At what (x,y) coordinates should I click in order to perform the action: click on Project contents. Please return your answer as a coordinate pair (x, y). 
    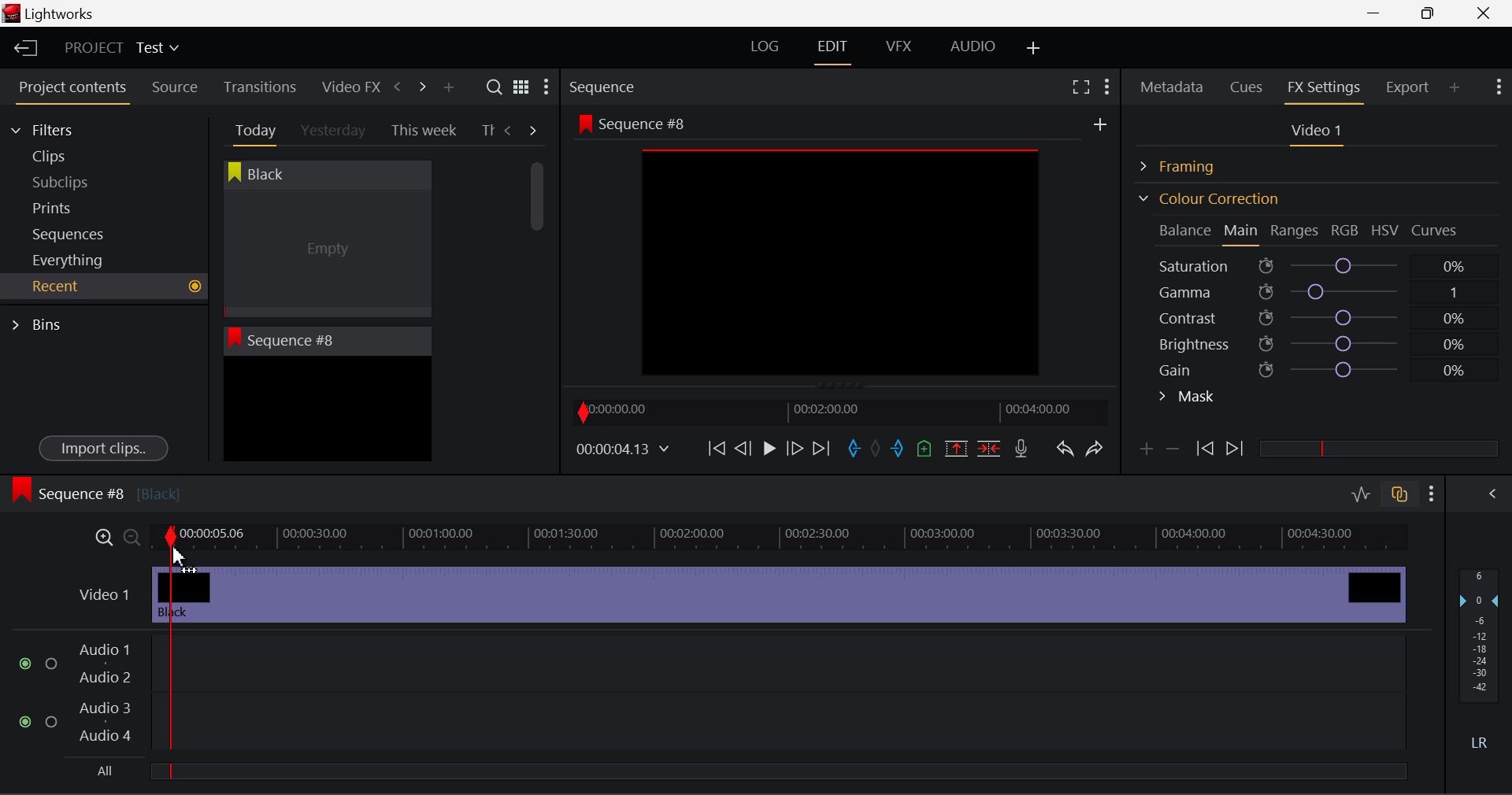
    Looking at the image, I should click on (72, 91).